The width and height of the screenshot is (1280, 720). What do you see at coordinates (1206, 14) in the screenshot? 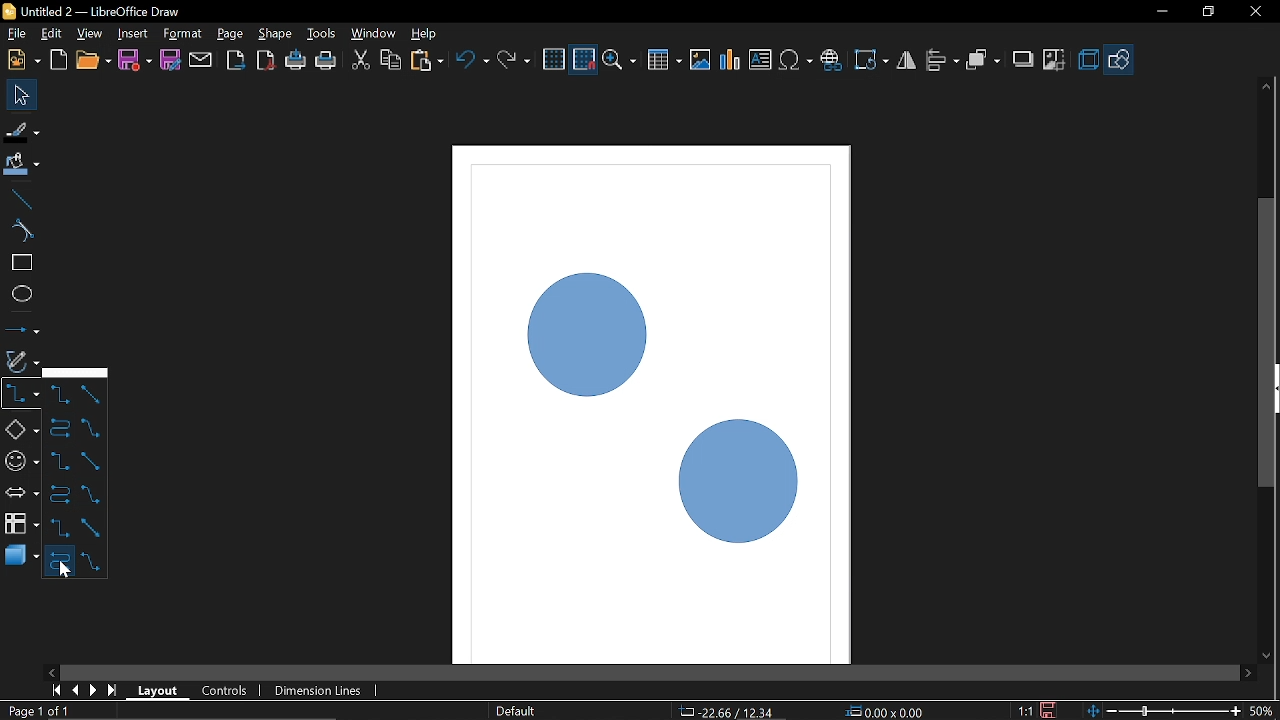
I see `Restore down` at bounding box center [1206, 14].